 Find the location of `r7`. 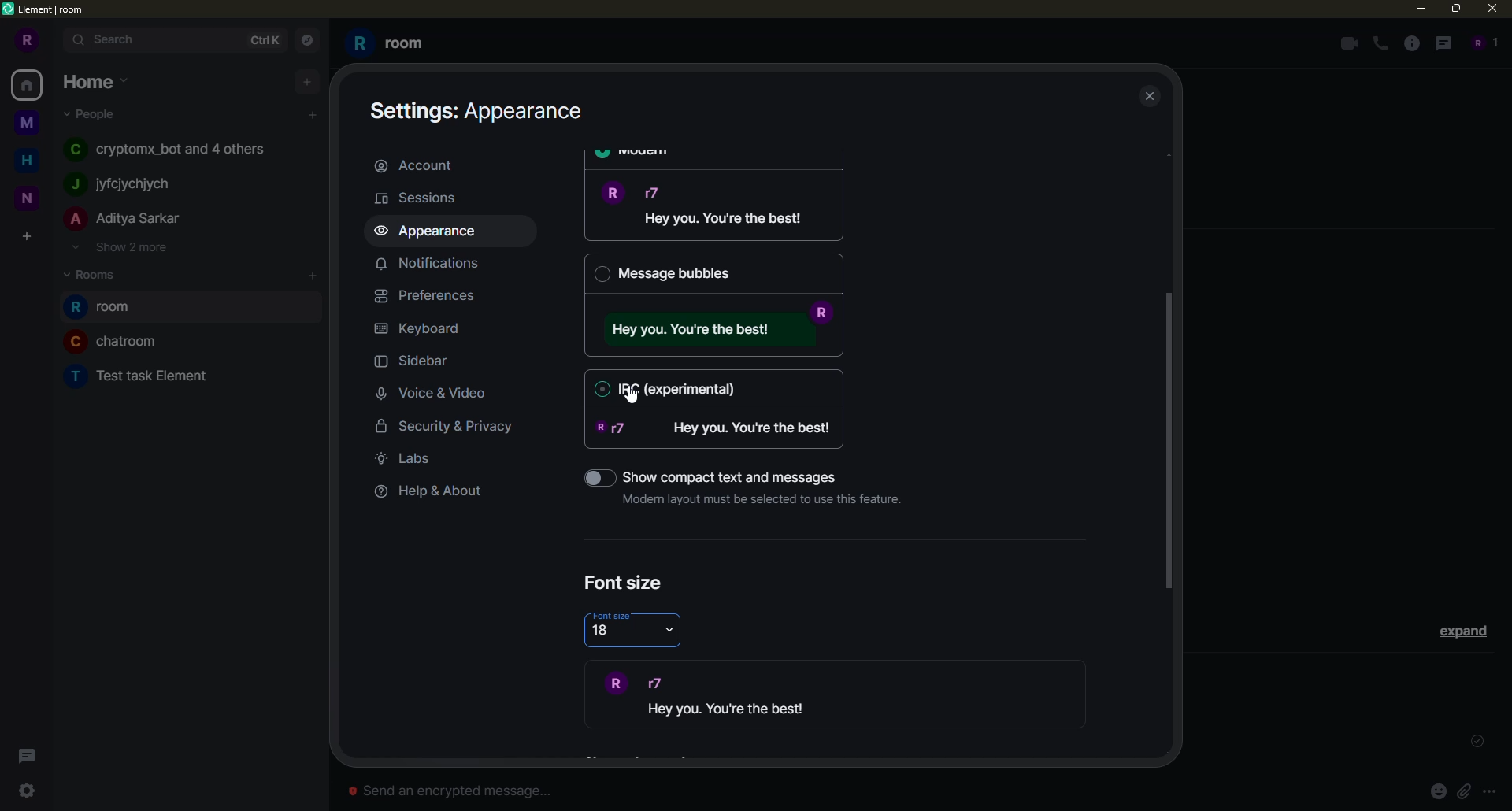

r7 is located at coordinates (652, 683).